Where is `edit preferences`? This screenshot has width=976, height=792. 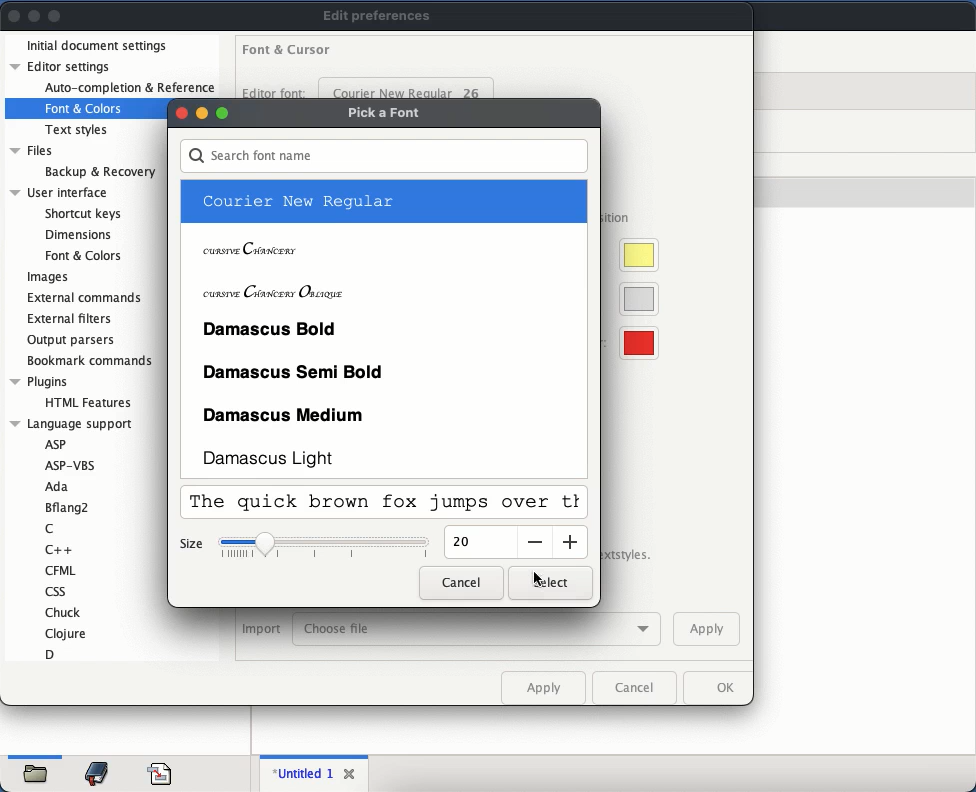
edit preferences is located at coordinates (378, 16).